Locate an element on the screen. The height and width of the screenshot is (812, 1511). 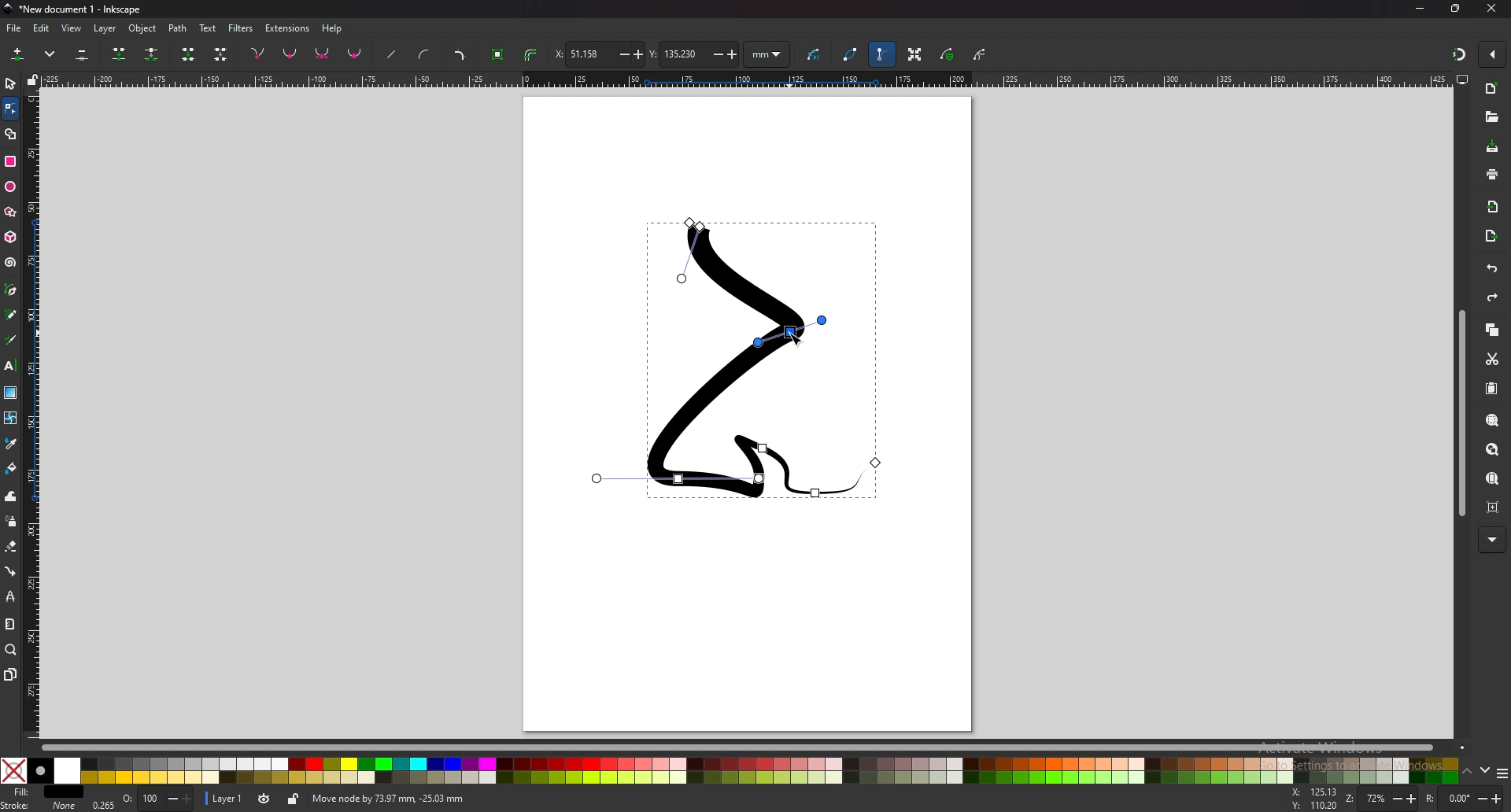
fill is located at coordinates (44, 792).